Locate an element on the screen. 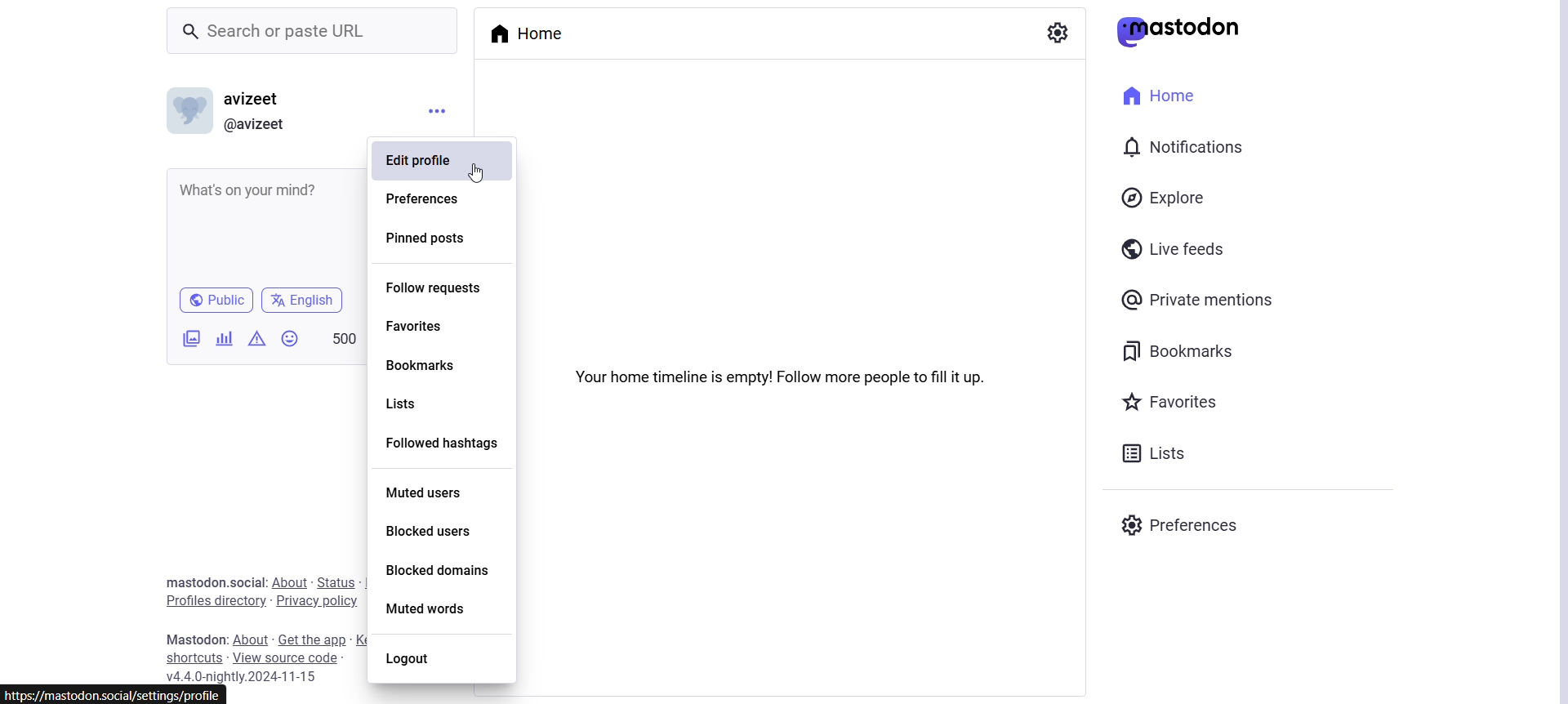 This screenshot has width=1568, height=704. Favorites is located at coordinates (1186, 403).